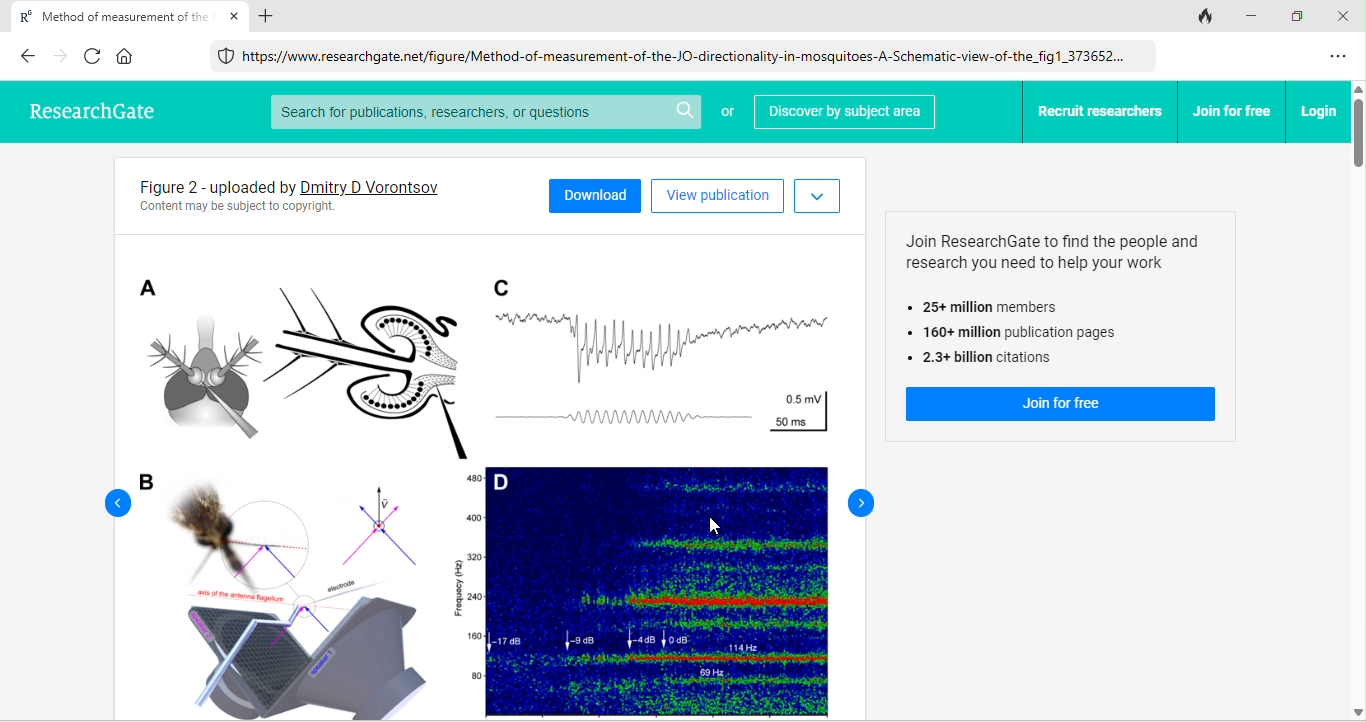  I want to click on back, so click(108, 502).